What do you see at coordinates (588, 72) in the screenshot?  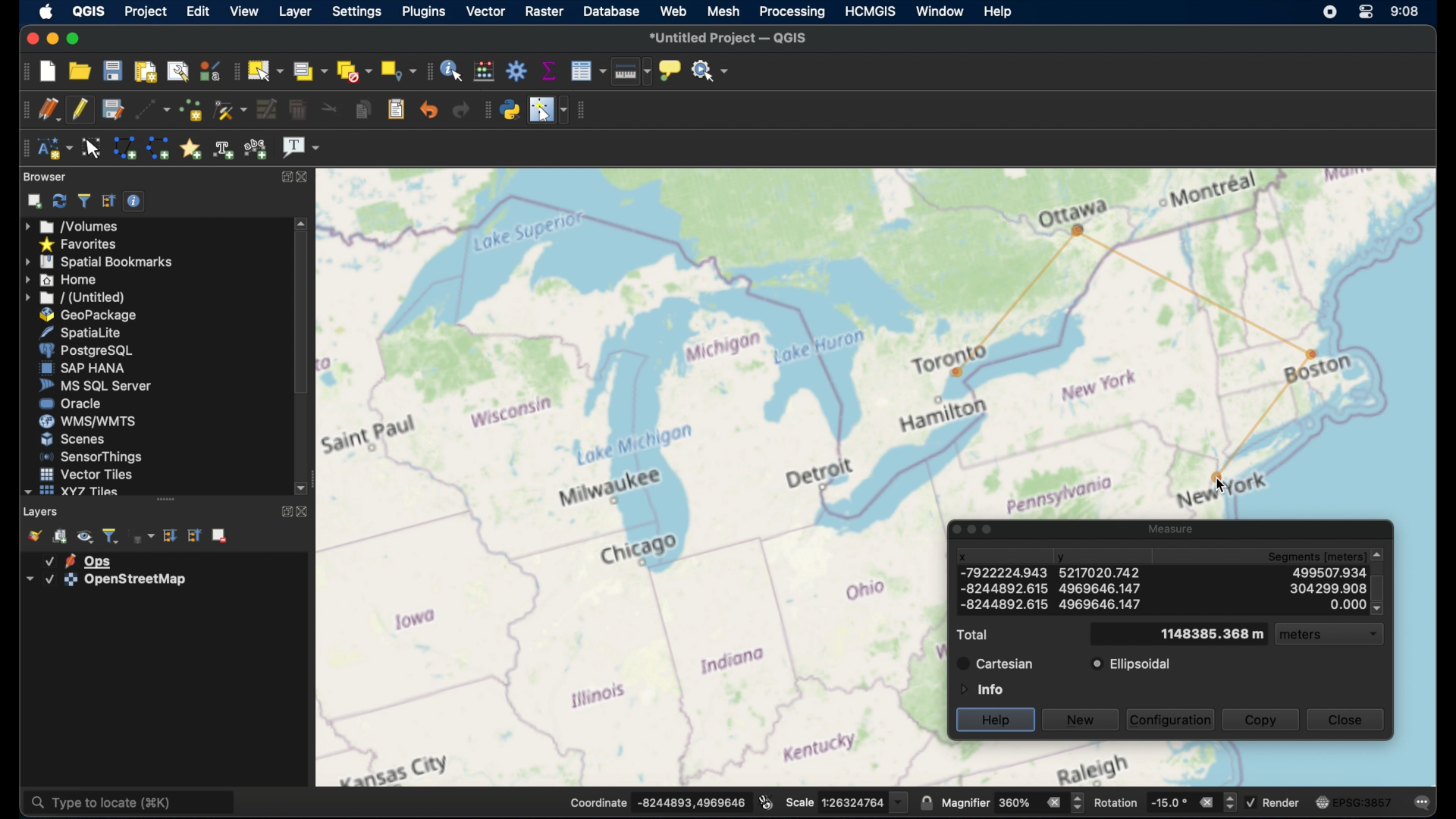 I see `open attribute table` at bounding box center [588, 72].